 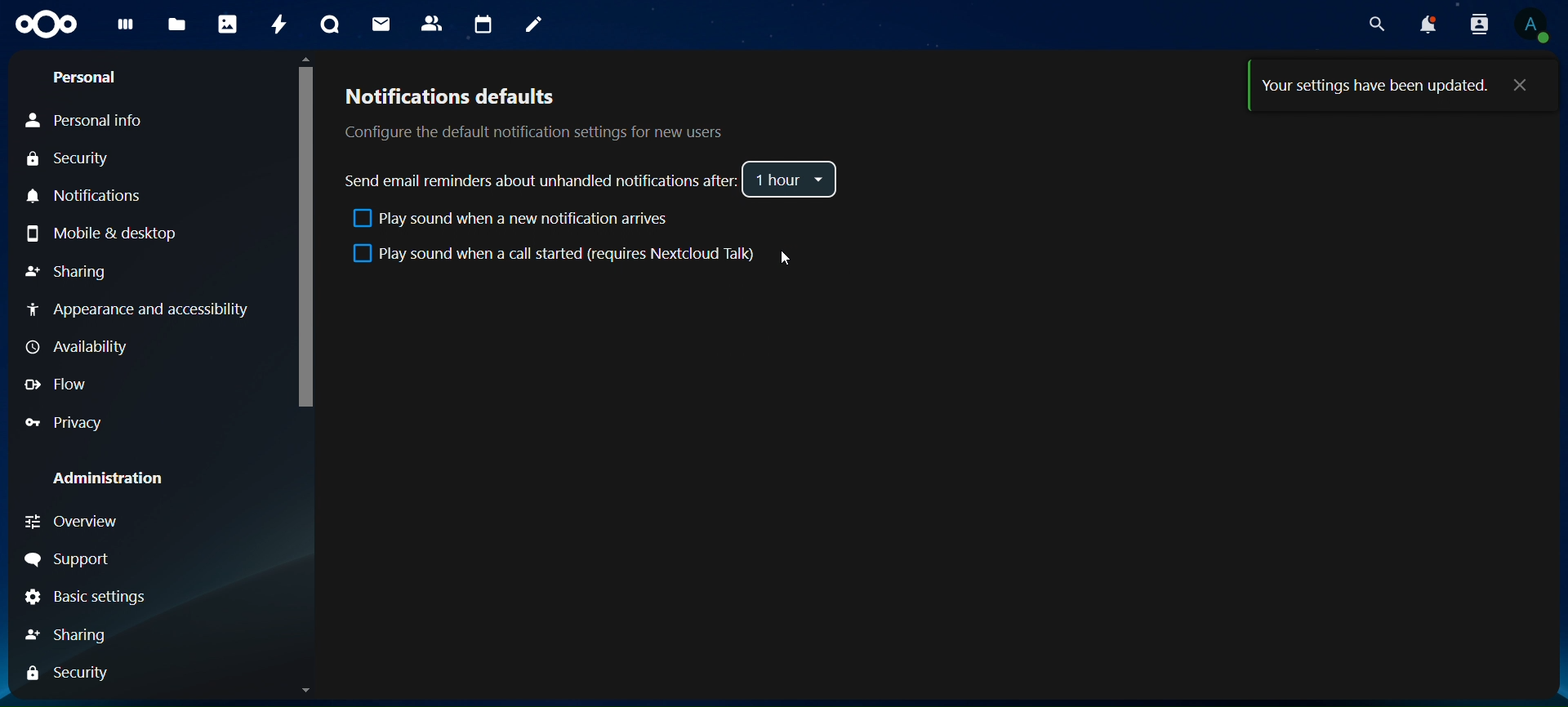 What do you see at coordinates (81, 348) in the screenshot?
I see `Availability` at bounding box center [81, 348].